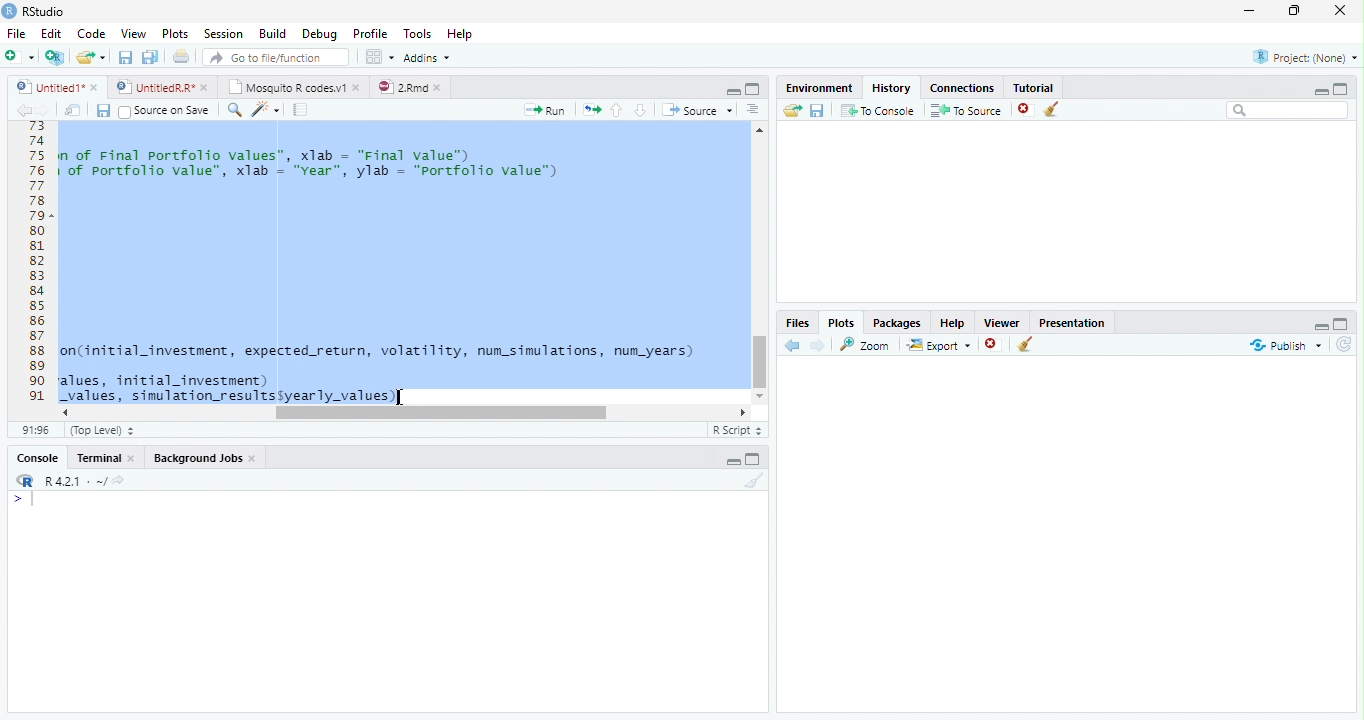  What do you see at coordinates (1319, 324) in the screenshot?
I see `Hide` at bounding box center [1319, 324].